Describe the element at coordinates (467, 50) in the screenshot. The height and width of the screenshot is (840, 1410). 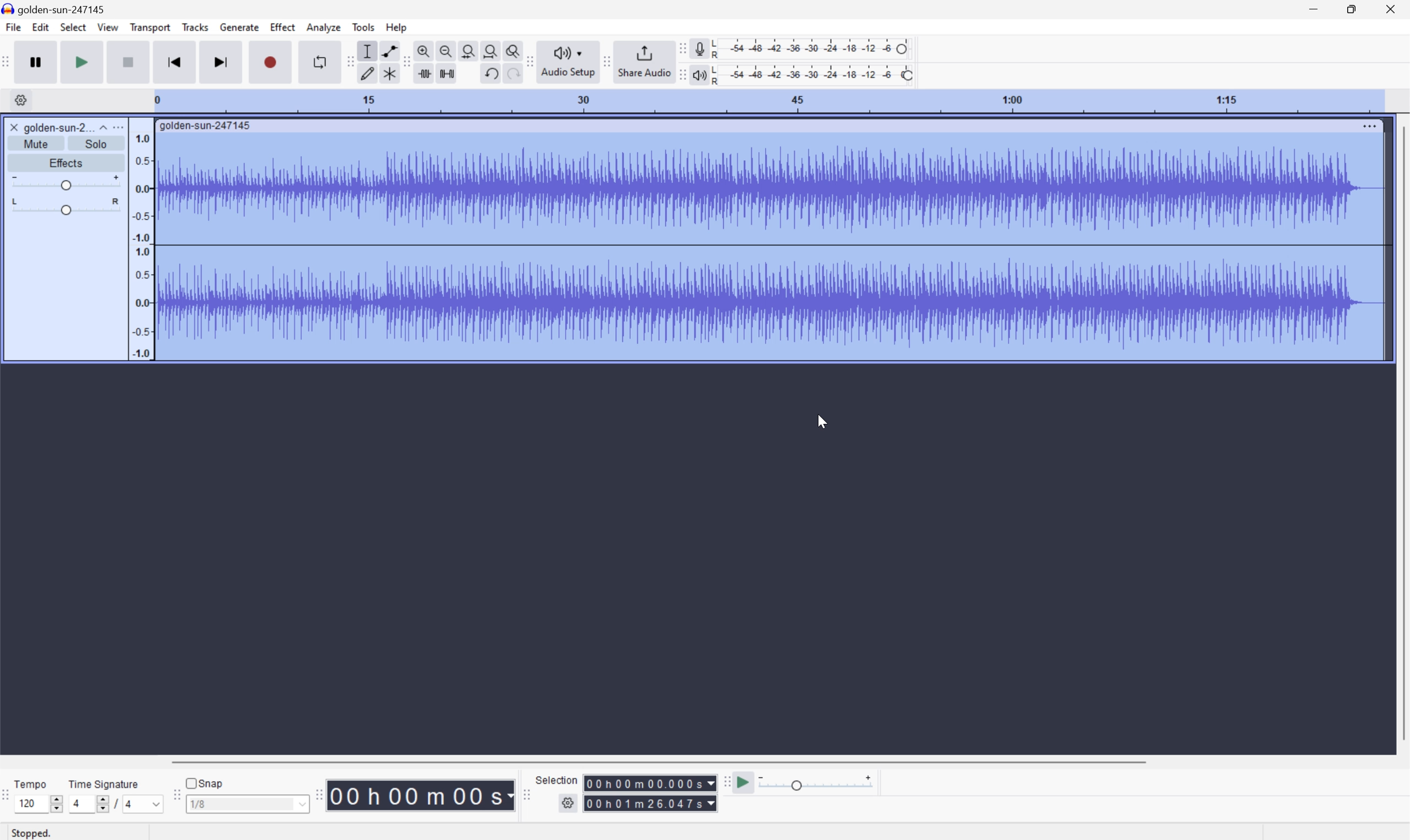
I see `Fit selection to width` at that location.